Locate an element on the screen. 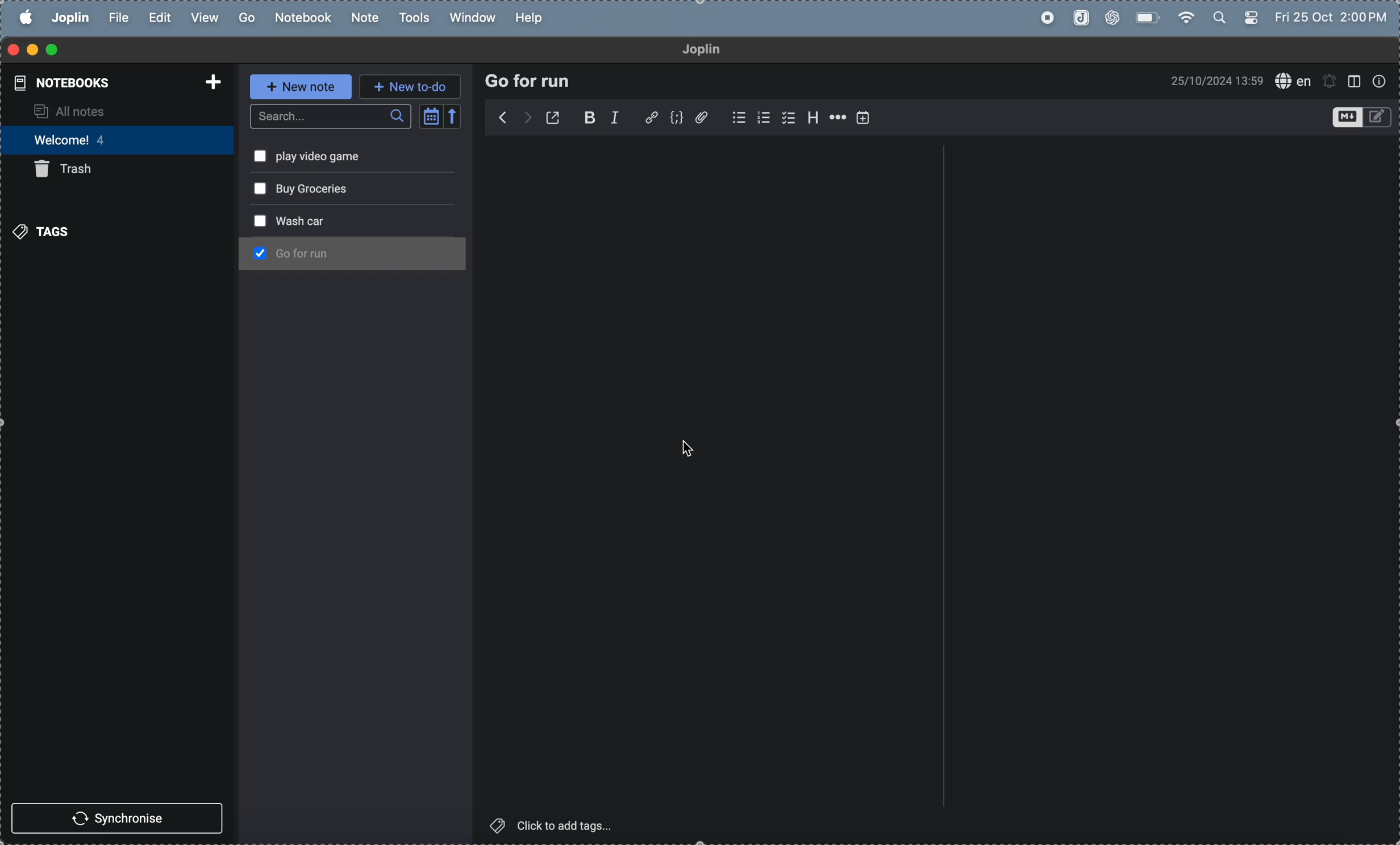 The width and height of the screenshot is (1400, 845). numbered list is located at coordinates (761, 117).